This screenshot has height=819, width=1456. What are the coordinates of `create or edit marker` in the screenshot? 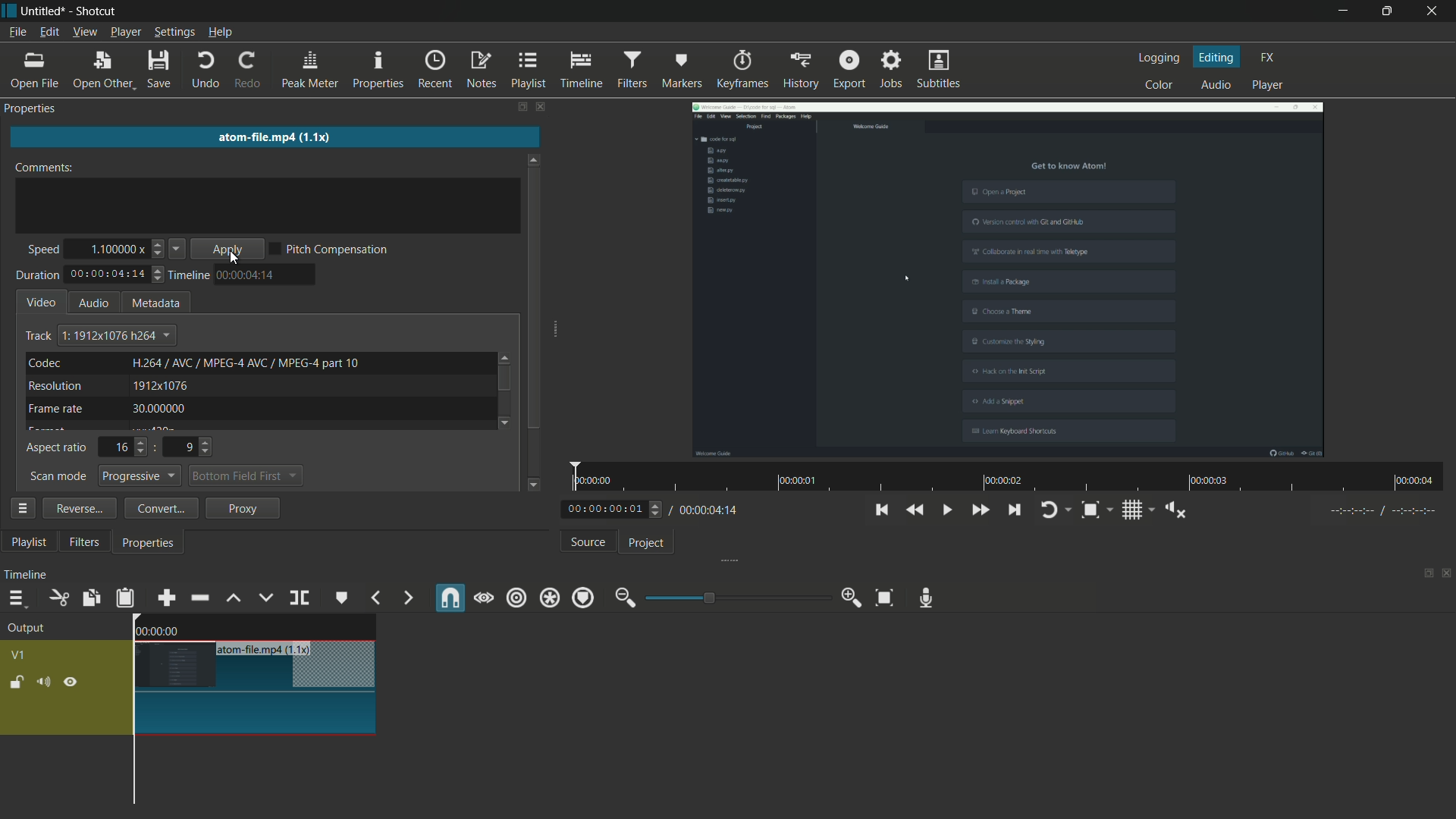 It's located at (342, 598).